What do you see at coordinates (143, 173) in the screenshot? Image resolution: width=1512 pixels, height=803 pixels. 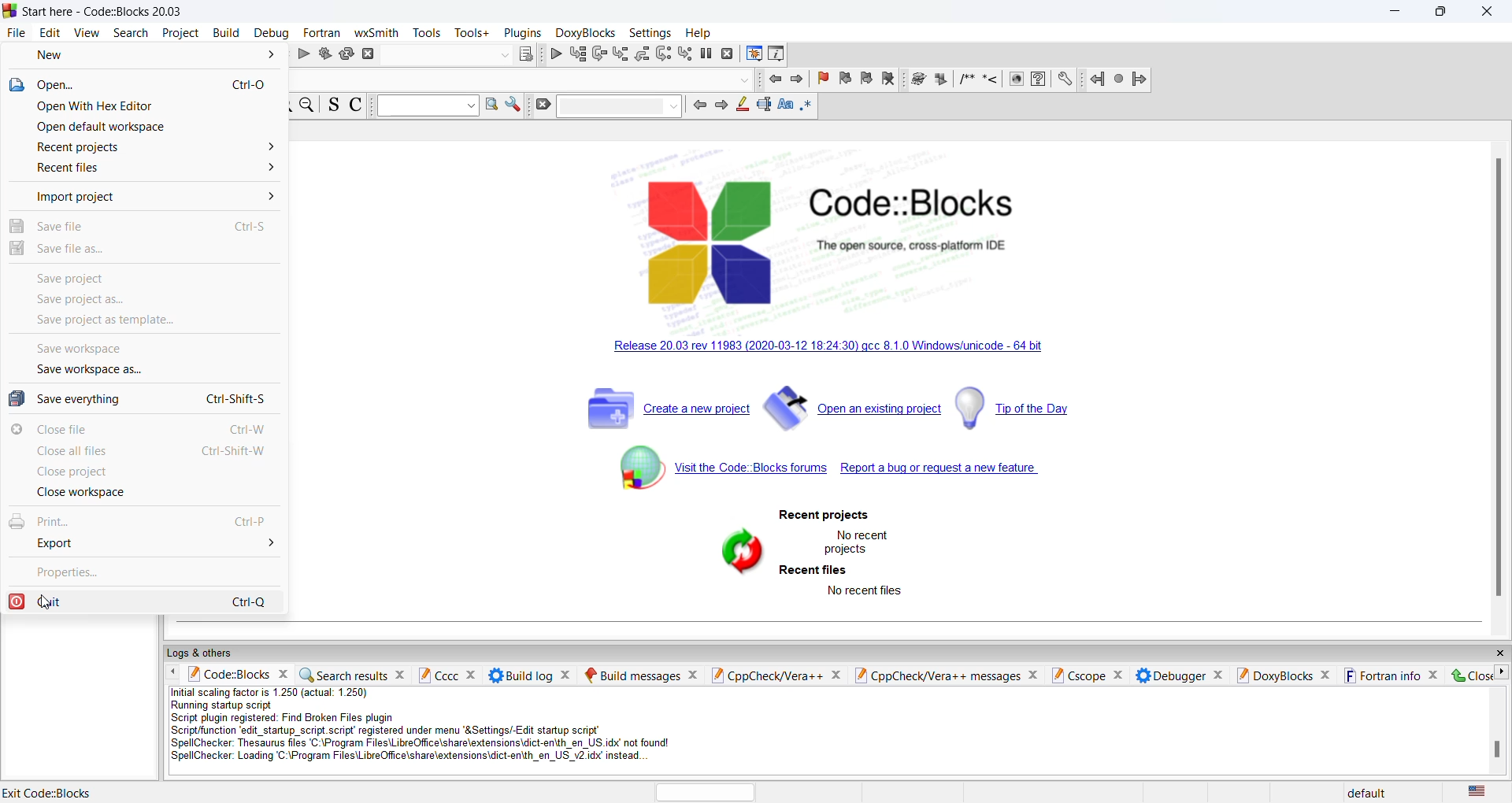 I see `recent files` at bounding box center [143, 173].